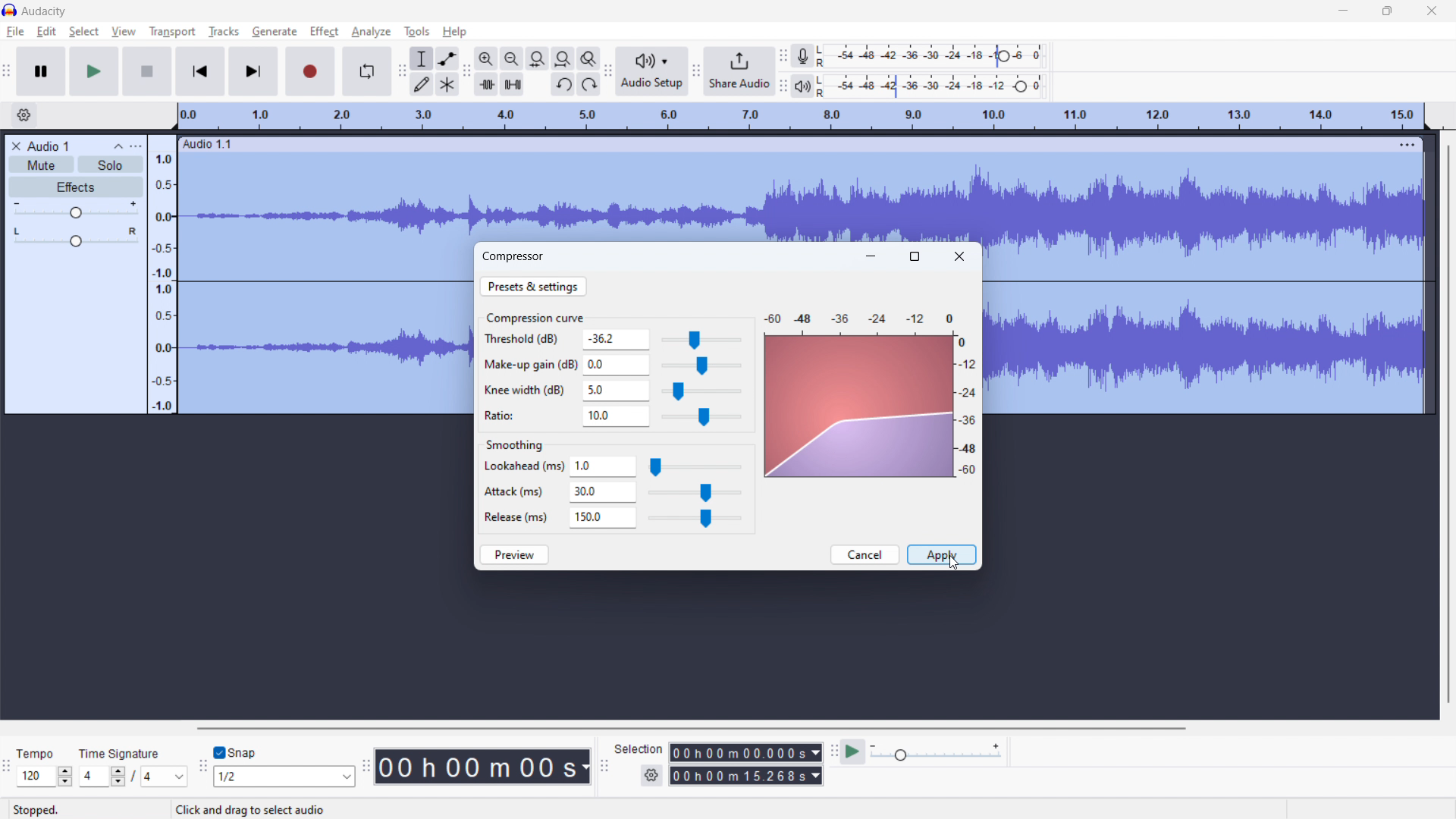 Image resolution: width=1456 pixels, height=819 pixels. What do you see at coordinates (487, 84) in the screenshot?
I see `trim audio outside selection` at bounding box center [487, 84].